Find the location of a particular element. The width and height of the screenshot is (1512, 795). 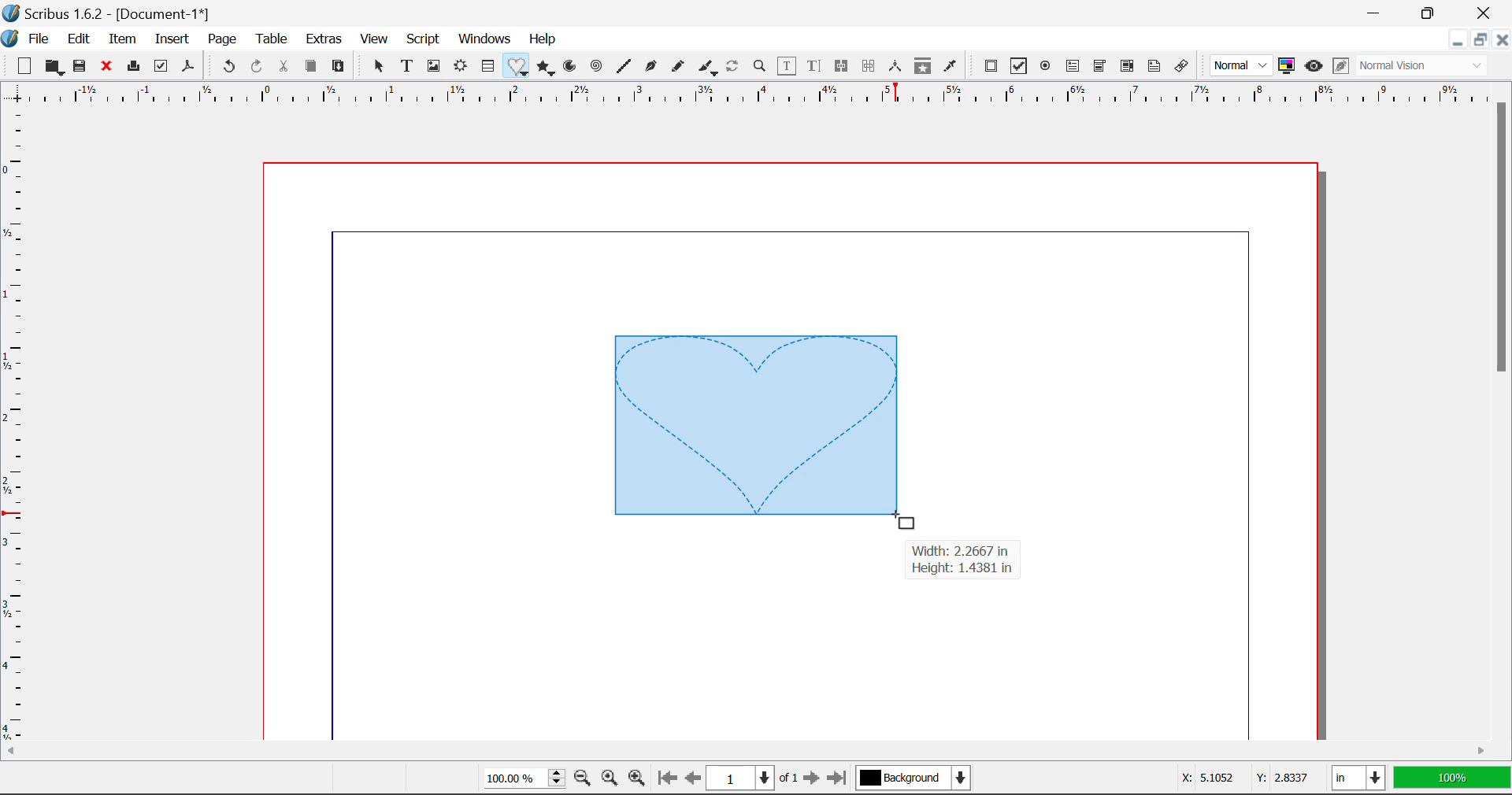

in is located at coordinates (1358, 778).